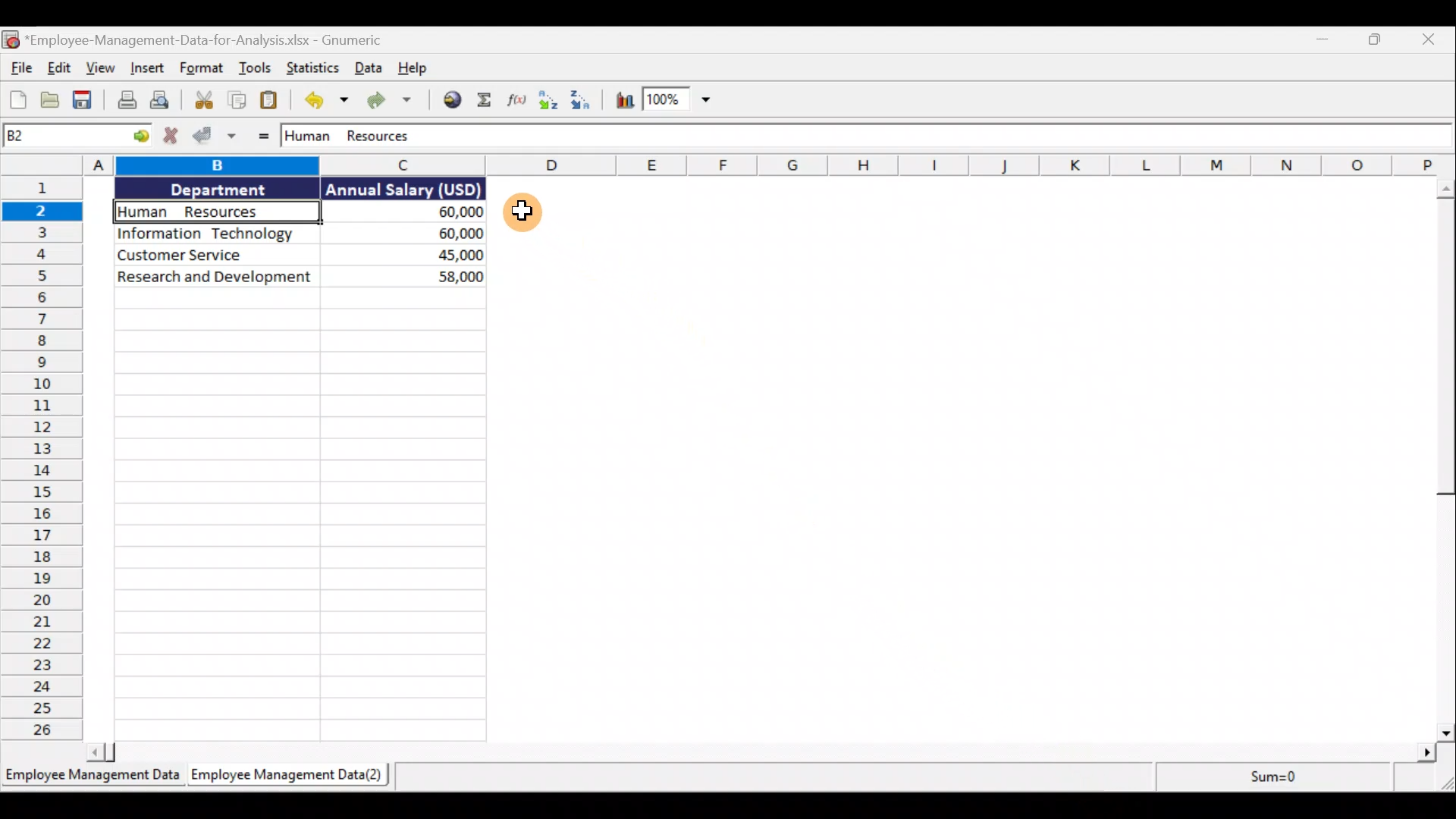 Image resolution: width=1456 pixels, height=819 pixels. I want to click on Cut the selection, so click(202, 100).